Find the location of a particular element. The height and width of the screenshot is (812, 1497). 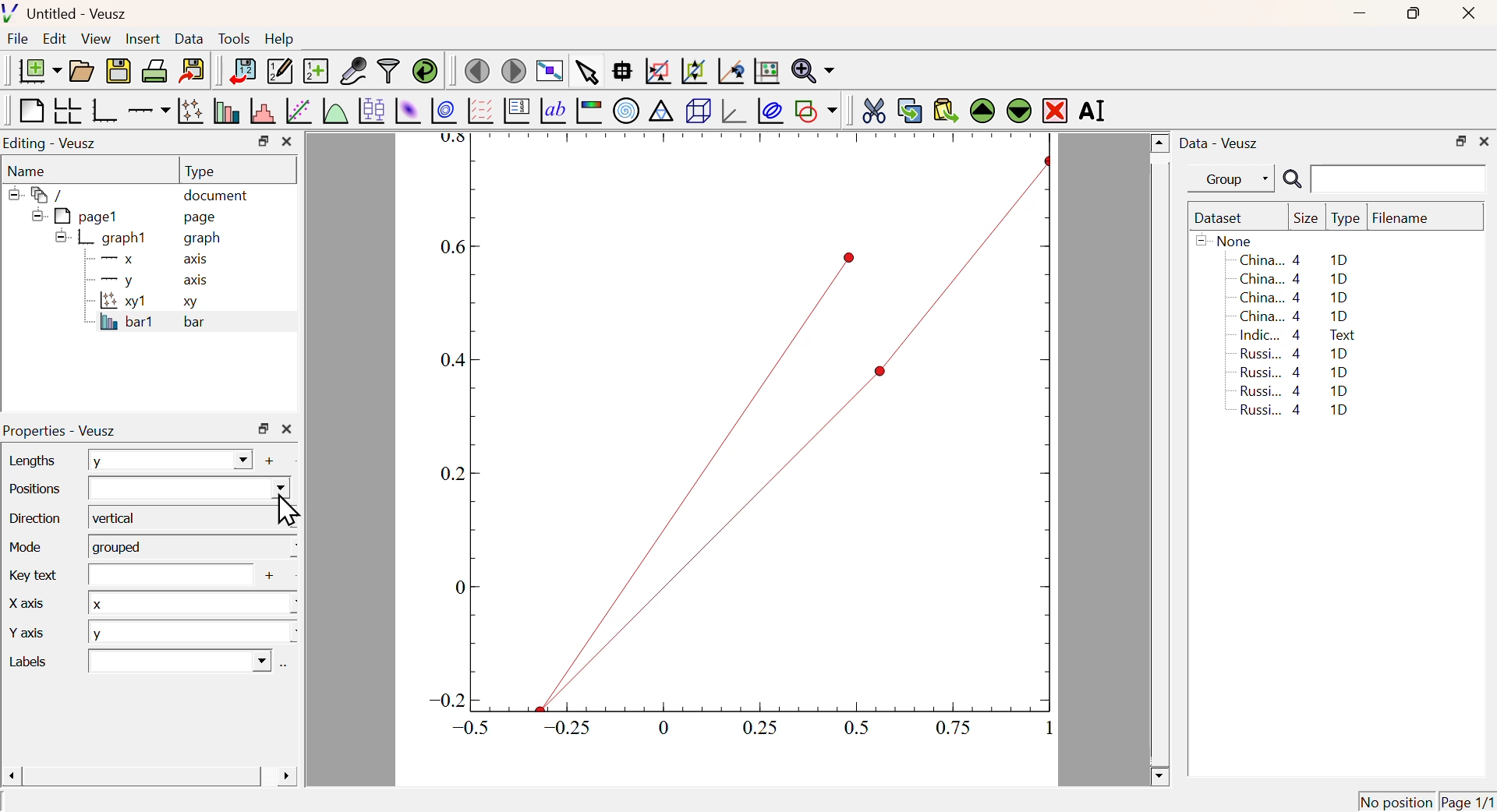

Plot Covariance Ellipses is located at coordinates (770, 112).